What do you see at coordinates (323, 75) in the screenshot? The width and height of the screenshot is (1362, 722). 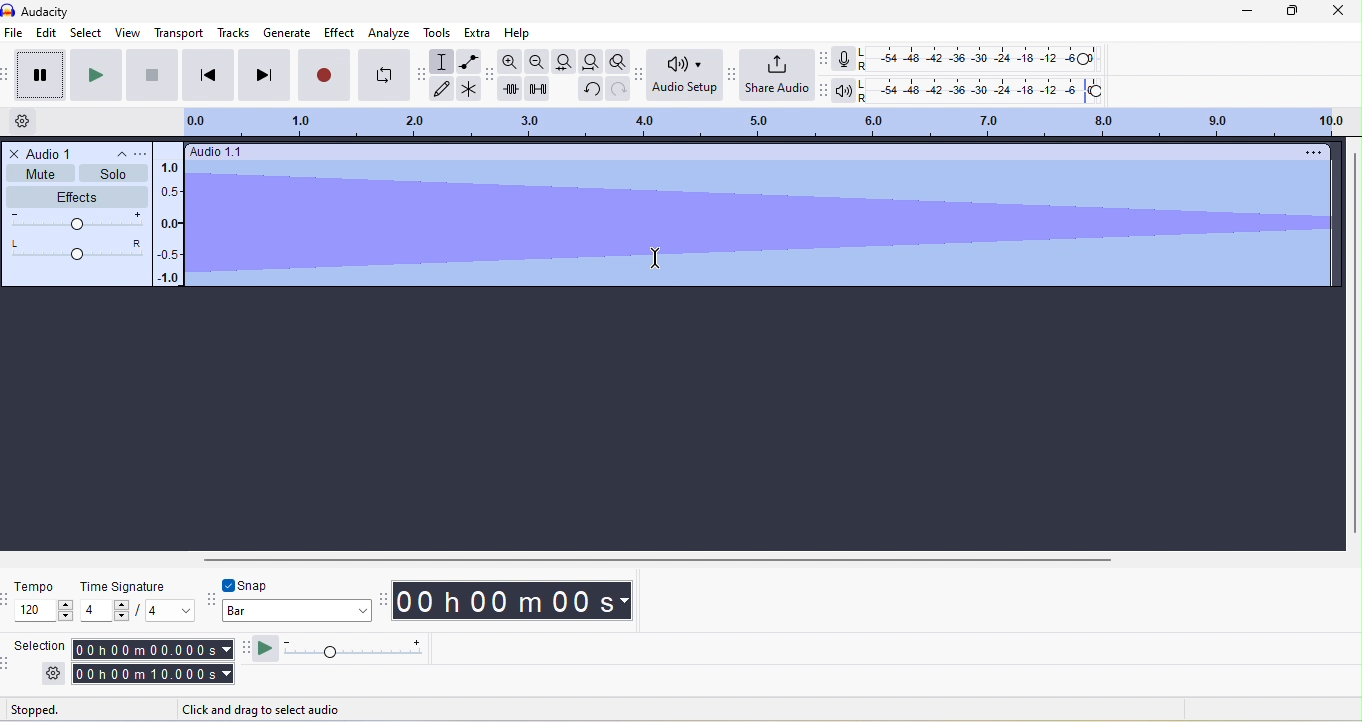 I see `record` at bounding box center [323, 75].